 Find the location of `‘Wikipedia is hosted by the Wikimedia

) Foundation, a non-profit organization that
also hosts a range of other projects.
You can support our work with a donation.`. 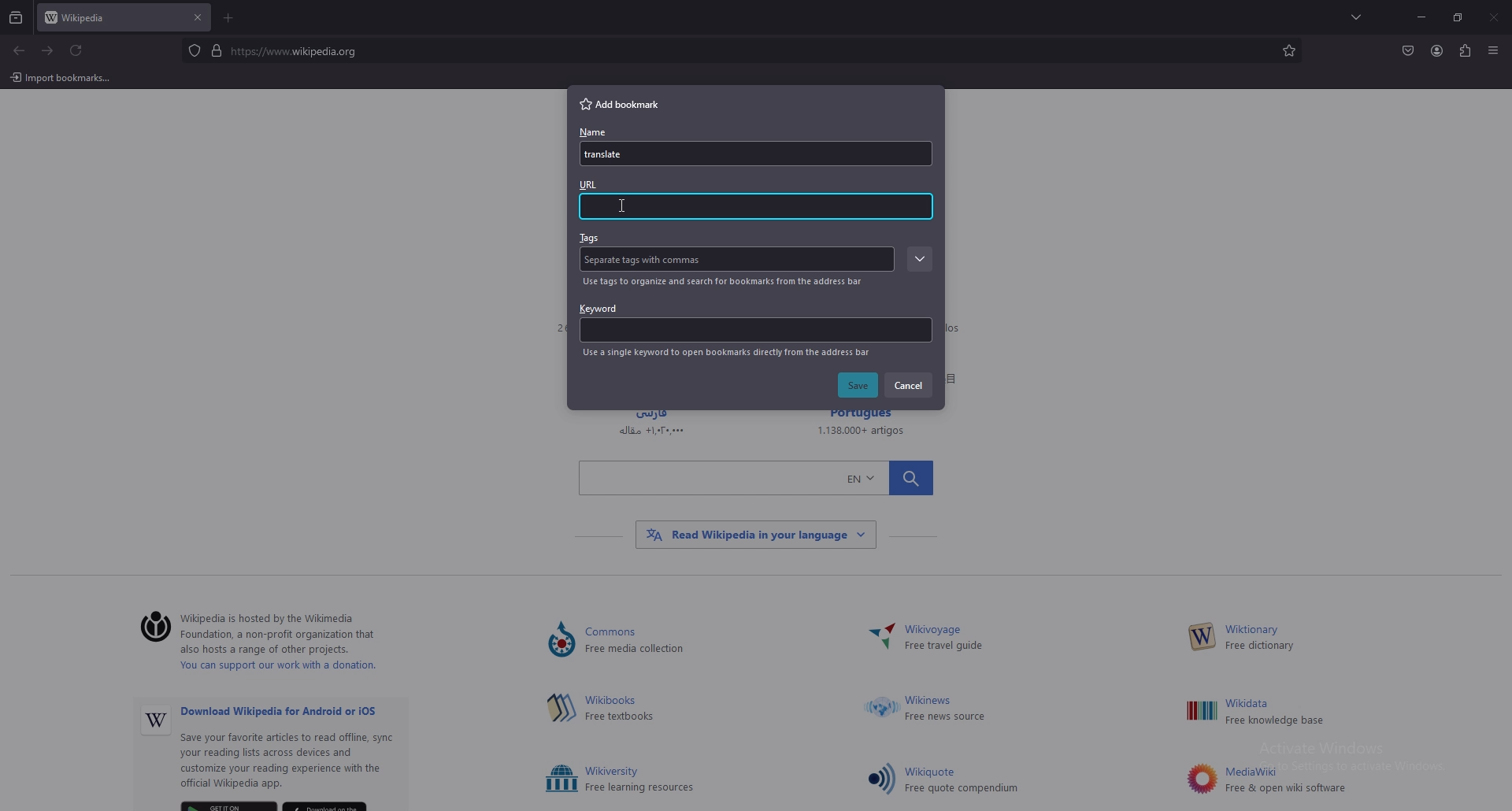

‘Wikipedia is hosted by the Wikimedia

) Foundation, a non-profit organization that
also hosts a range of other projects.
You can support our work with a donation. is located at coordinates (291, 644).